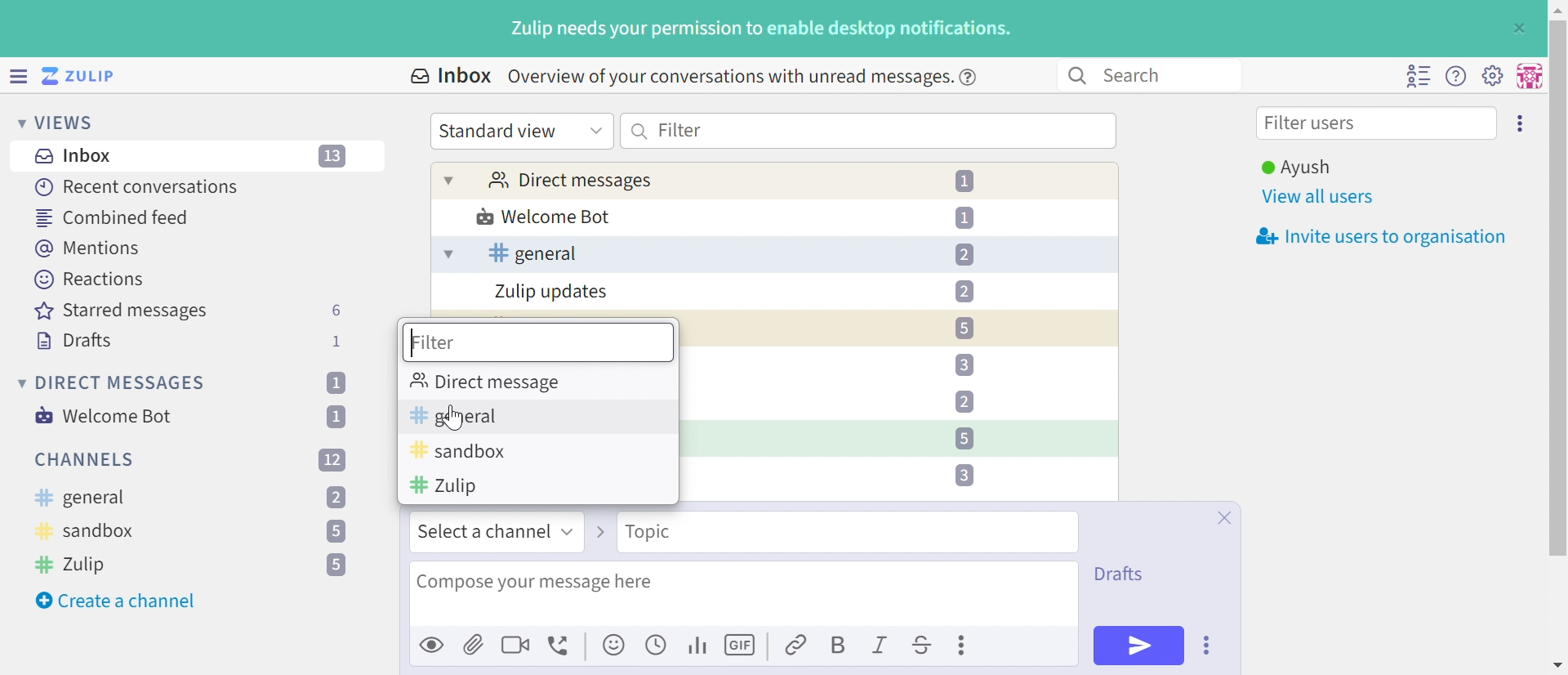  What do you see at coordinates (561, 646) in the screenshot?
I see `Add voice call` at bounding box center [561, 646].